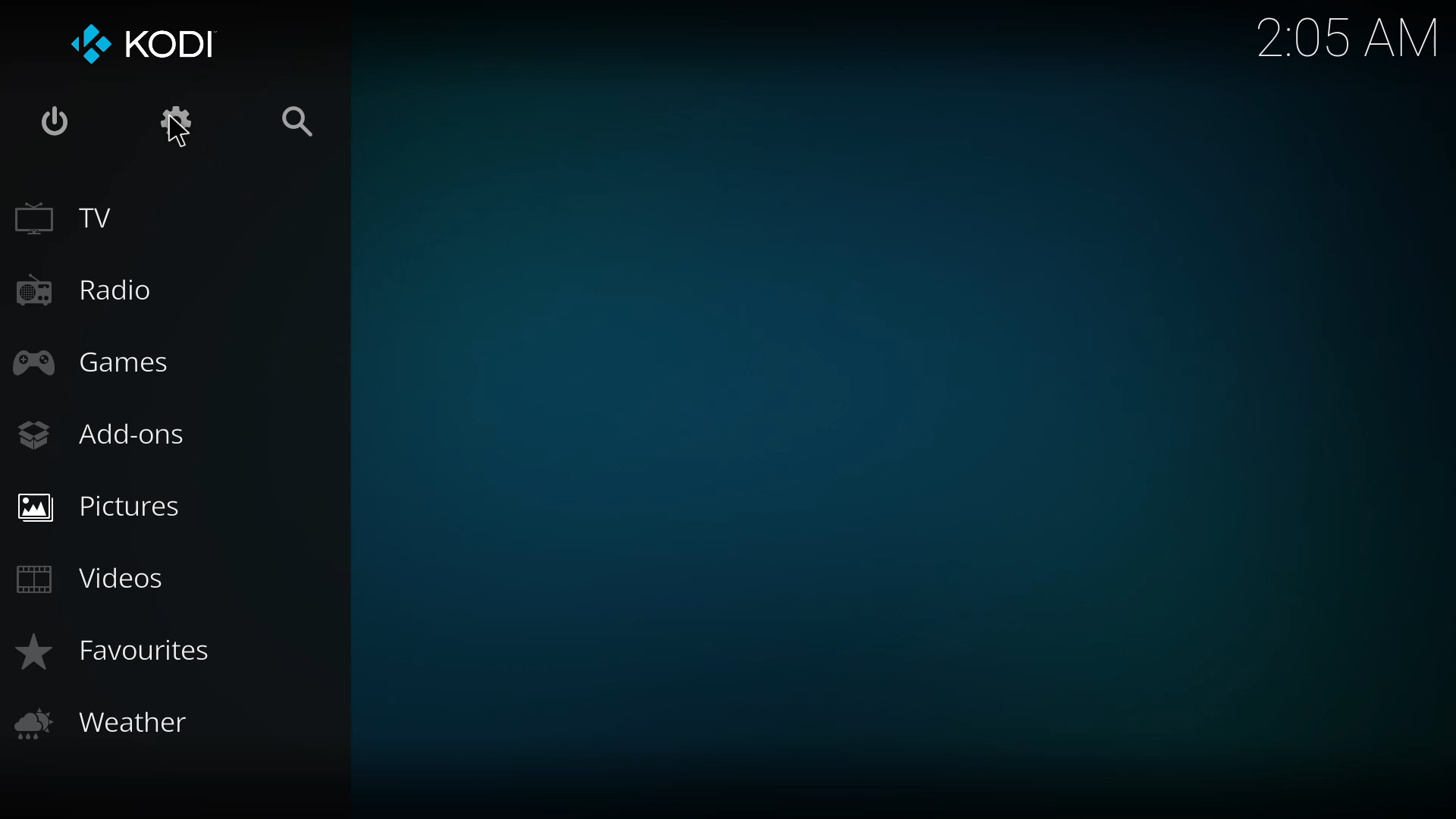  What do you see at coordinates (61, 119) in the screenshot?
I see `power` at bounding box center [61, 119].